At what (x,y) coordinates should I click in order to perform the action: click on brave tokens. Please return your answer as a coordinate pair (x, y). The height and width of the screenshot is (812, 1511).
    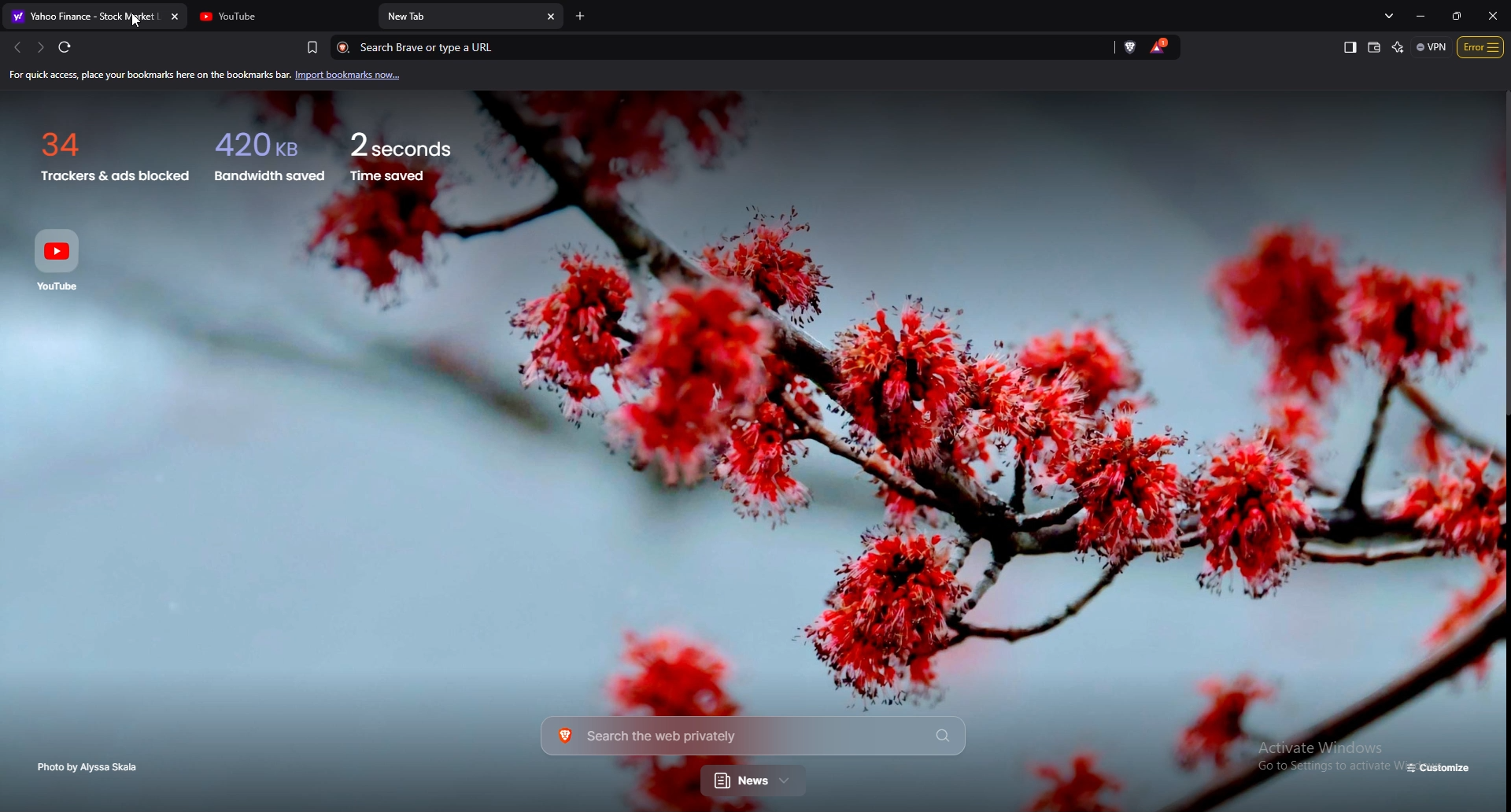
    Looking at the image, I should click on (1160, 46).